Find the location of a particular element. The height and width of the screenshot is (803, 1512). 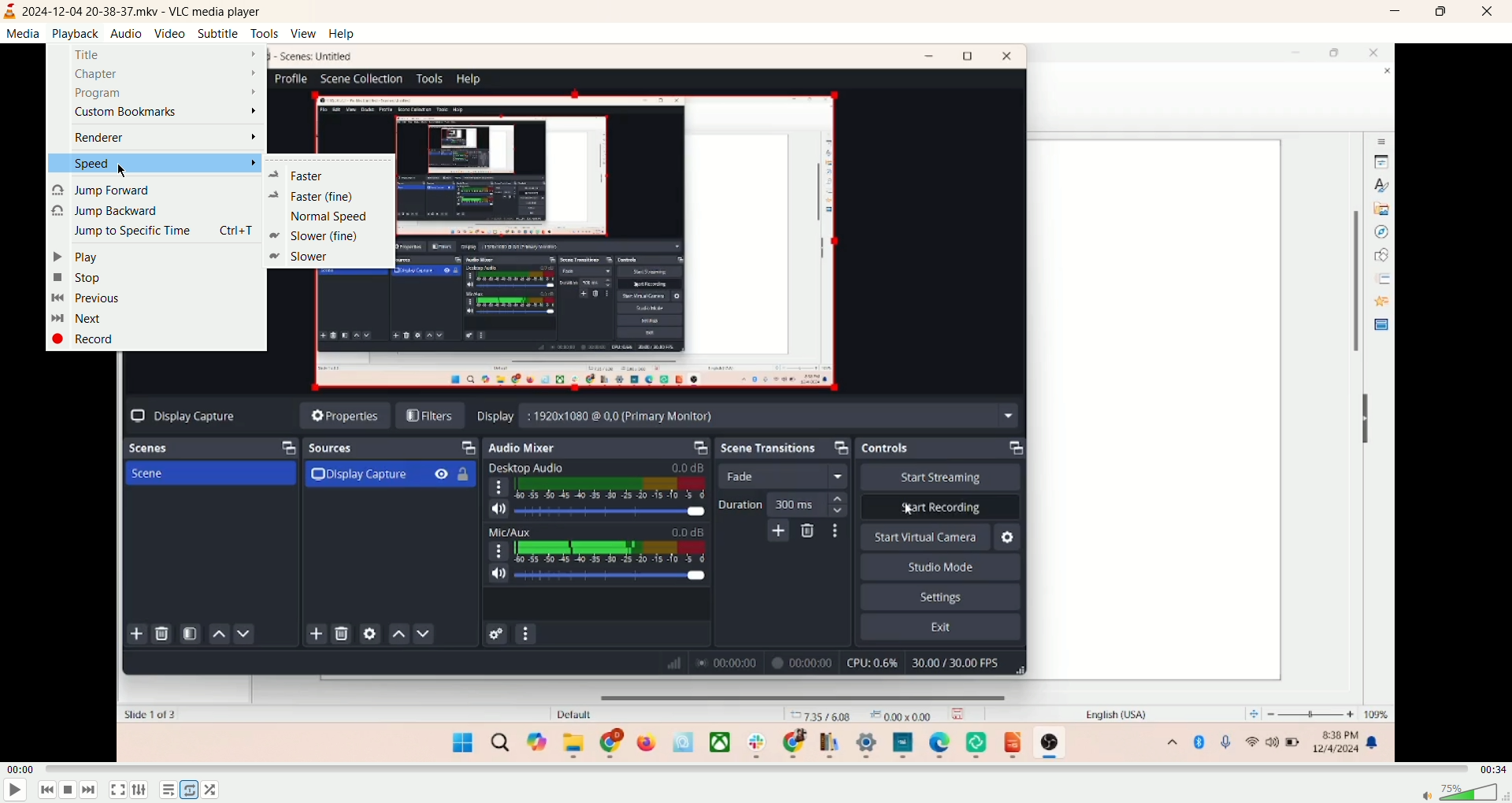

minimize is located at coordinates (1393, 13).